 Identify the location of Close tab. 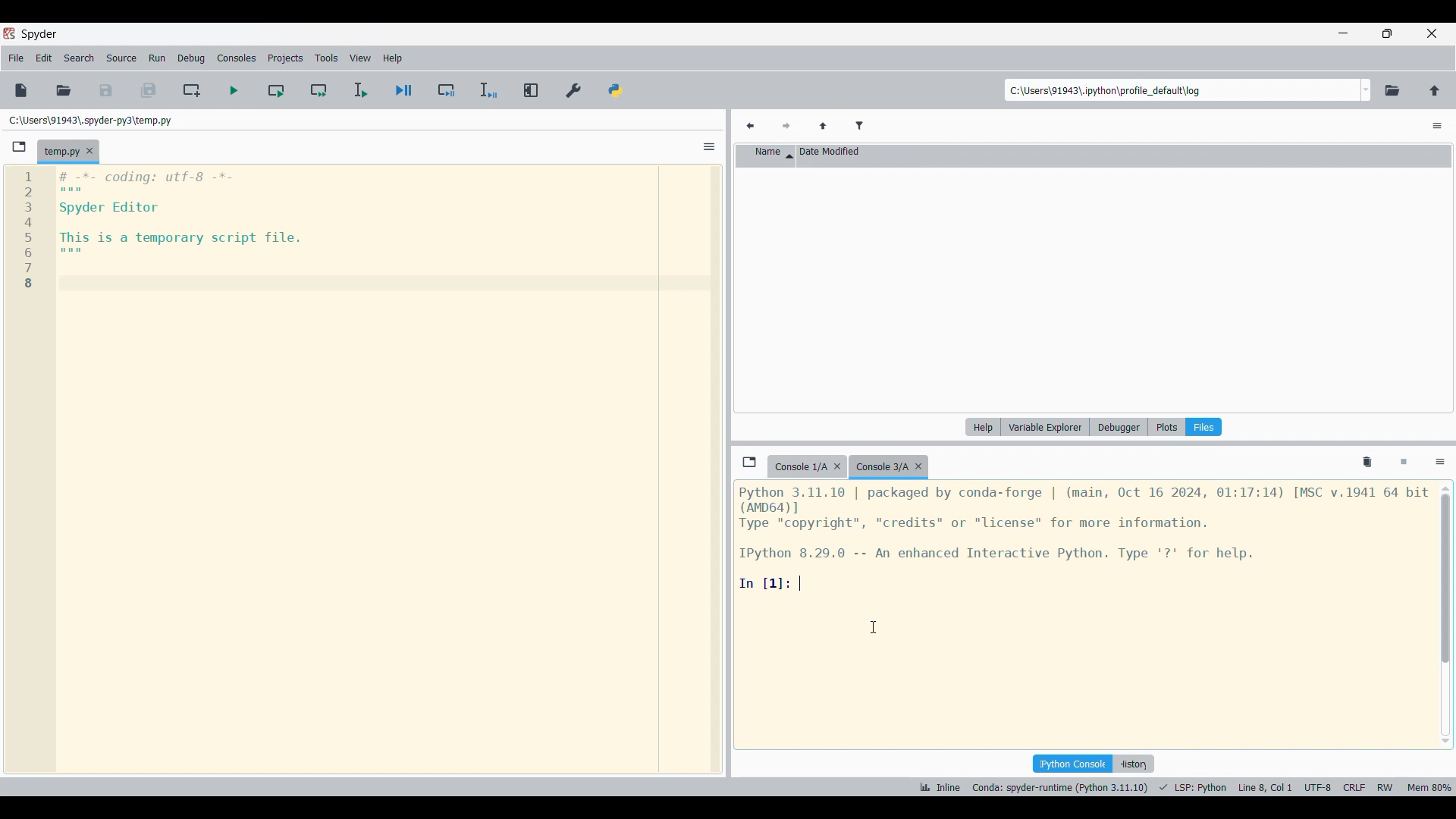
(89, 151).